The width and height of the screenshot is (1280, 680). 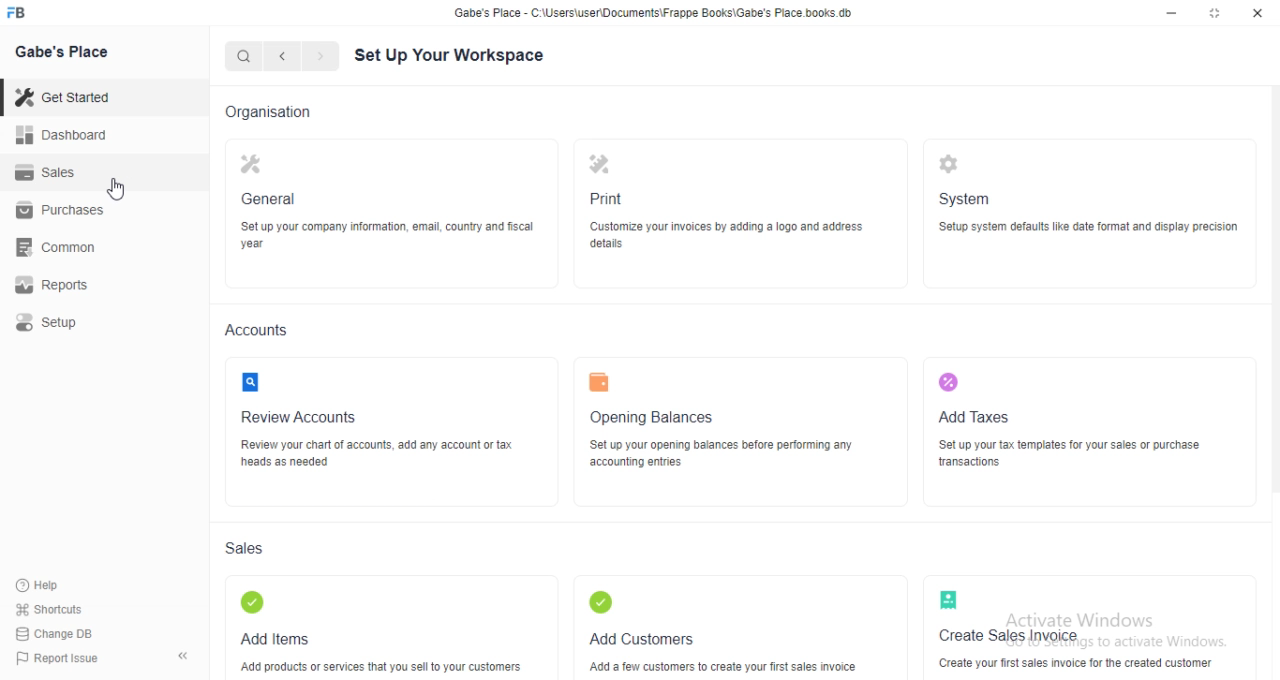 What do you see at coordinates (117, 187) in the screenshot?
I see `Cursor` at bounding box center [117, 187].